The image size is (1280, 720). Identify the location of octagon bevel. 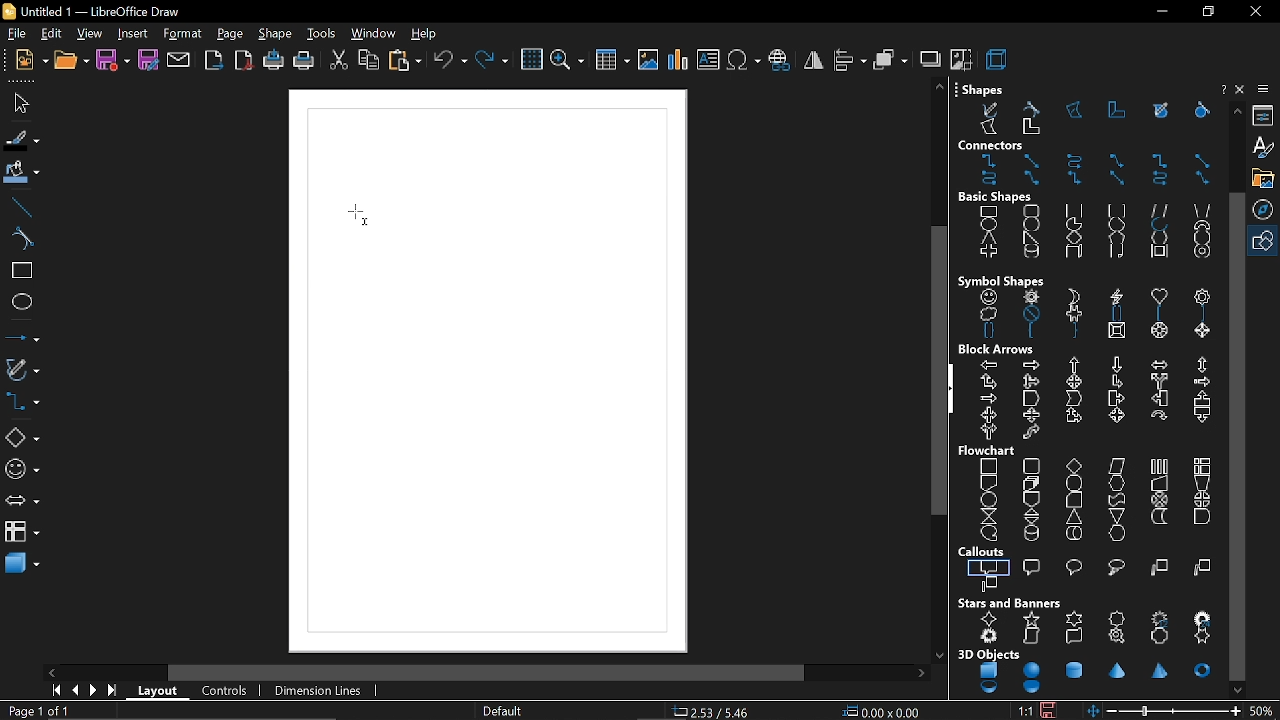
(1161, 332).